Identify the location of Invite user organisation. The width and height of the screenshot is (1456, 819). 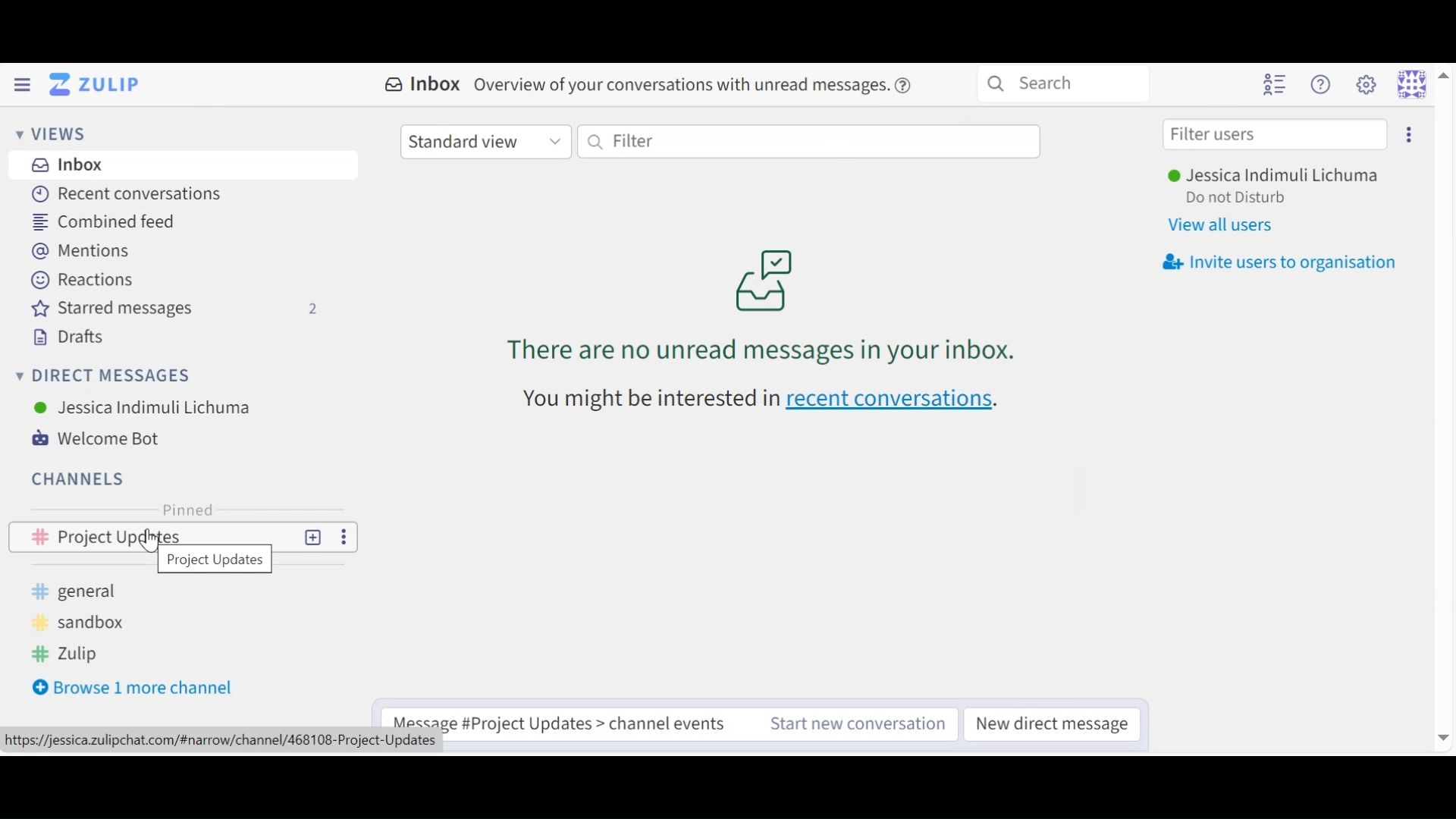
(1282, 261).